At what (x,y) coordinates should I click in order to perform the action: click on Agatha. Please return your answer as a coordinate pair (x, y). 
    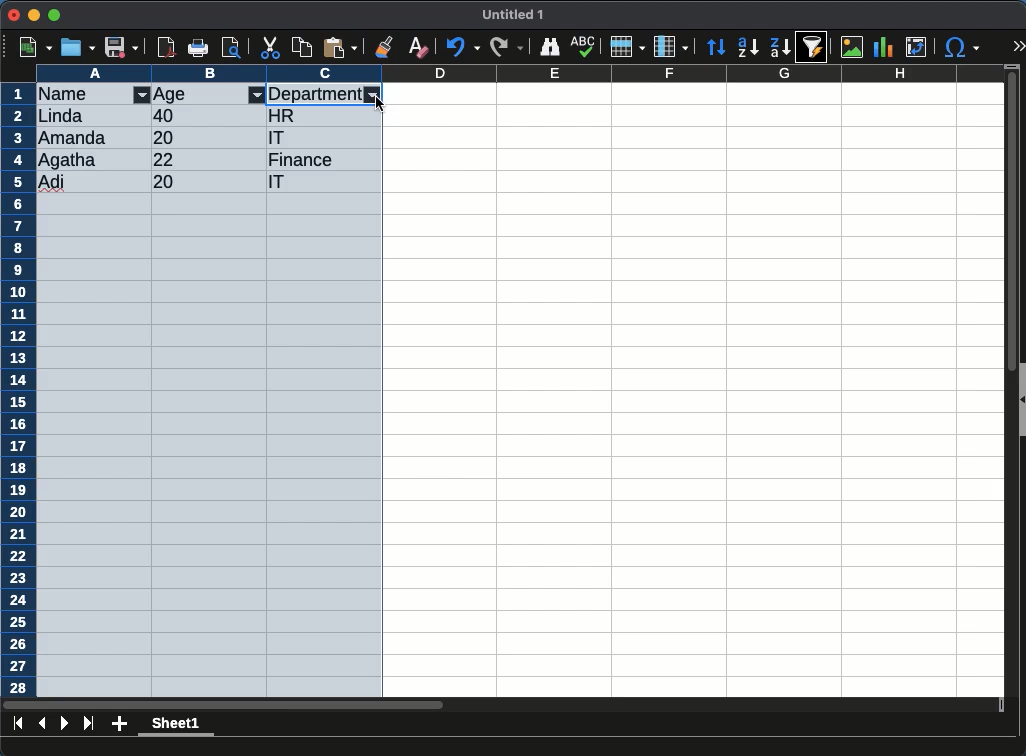
    Looking at the image, I should click on (68, 160).